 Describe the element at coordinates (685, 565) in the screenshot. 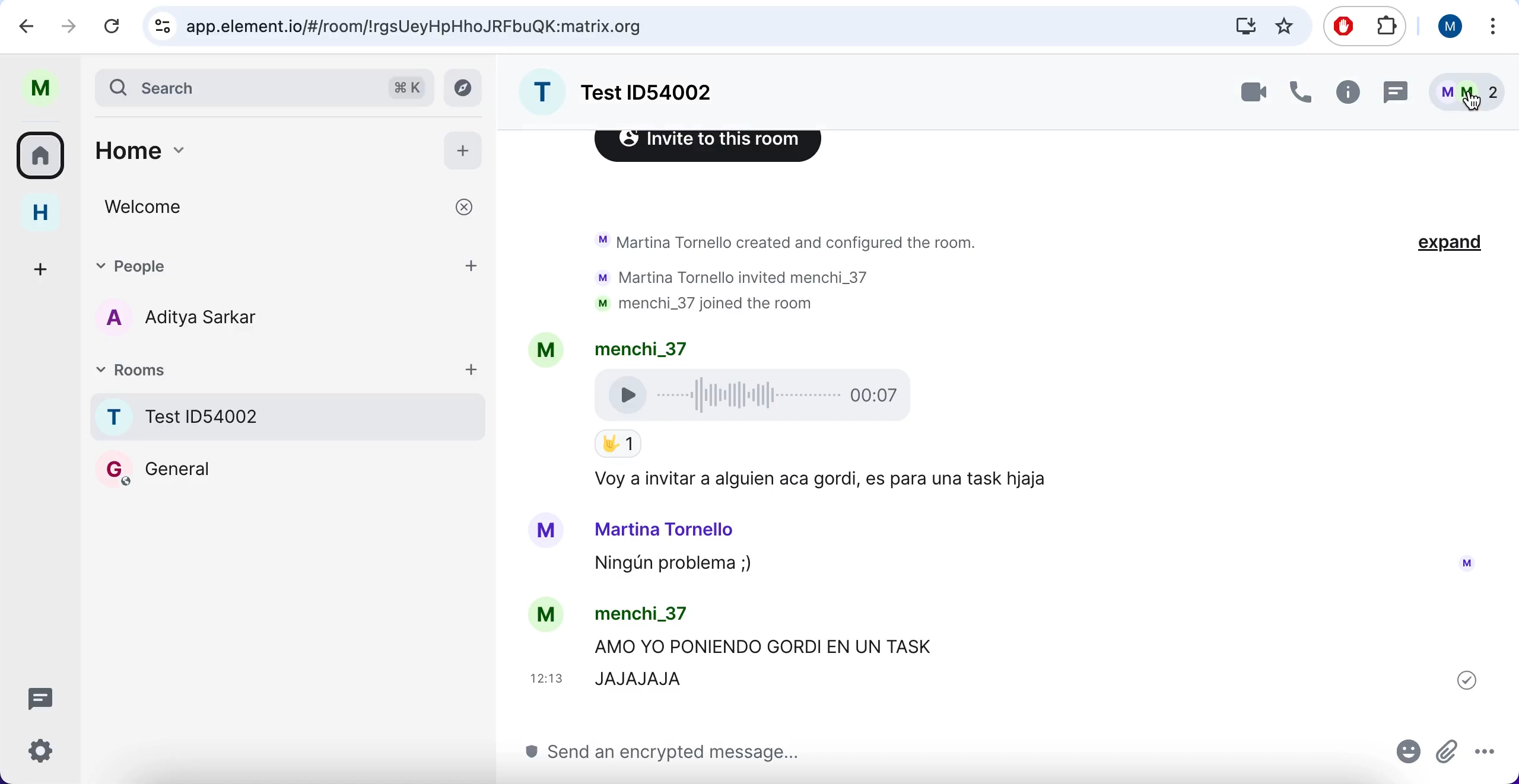

I see `Ningun problema ;)` at that location.